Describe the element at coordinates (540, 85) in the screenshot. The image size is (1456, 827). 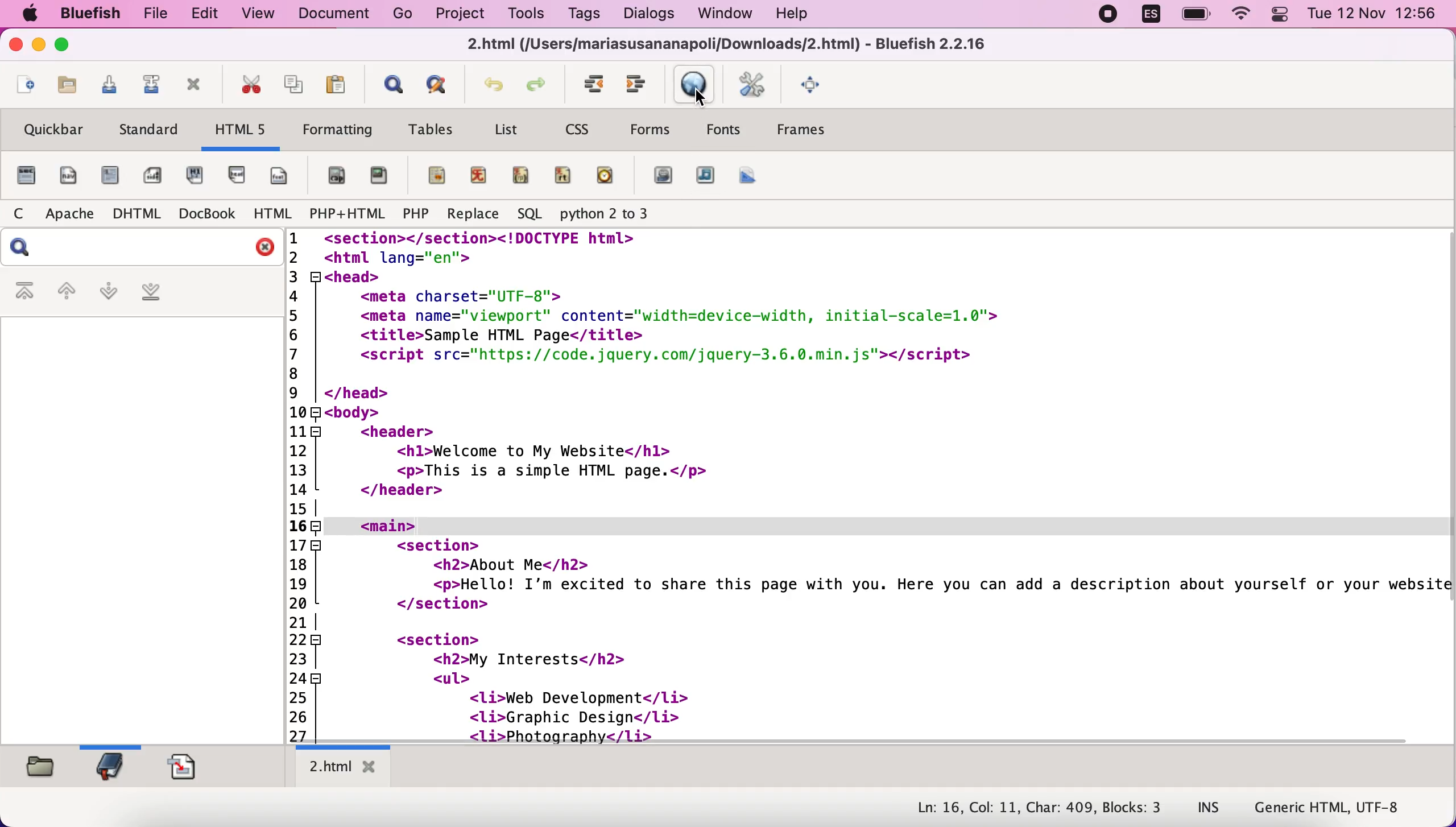
I see `redo` at that location.